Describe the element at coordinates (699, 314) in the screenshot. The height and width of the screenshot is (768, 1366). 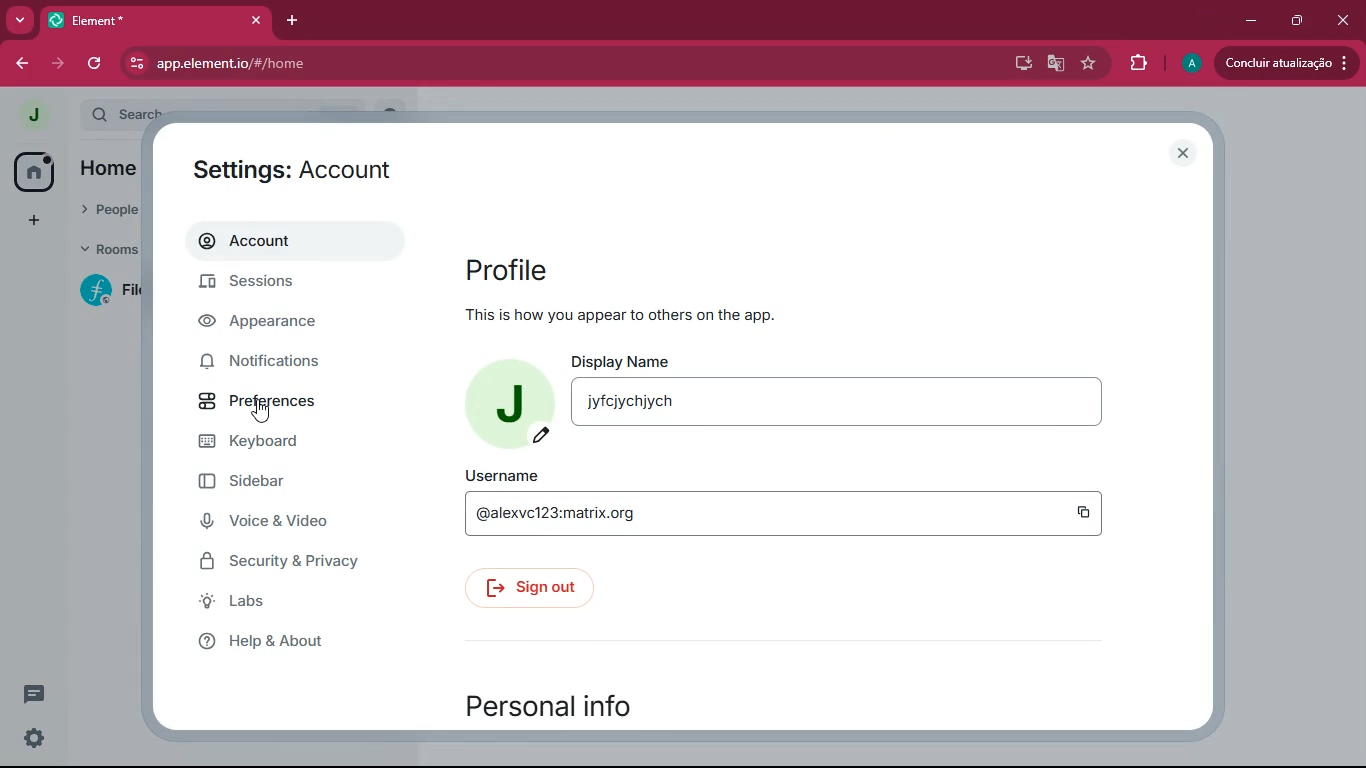
I see `this is how you appear to others or the app.` at that location.